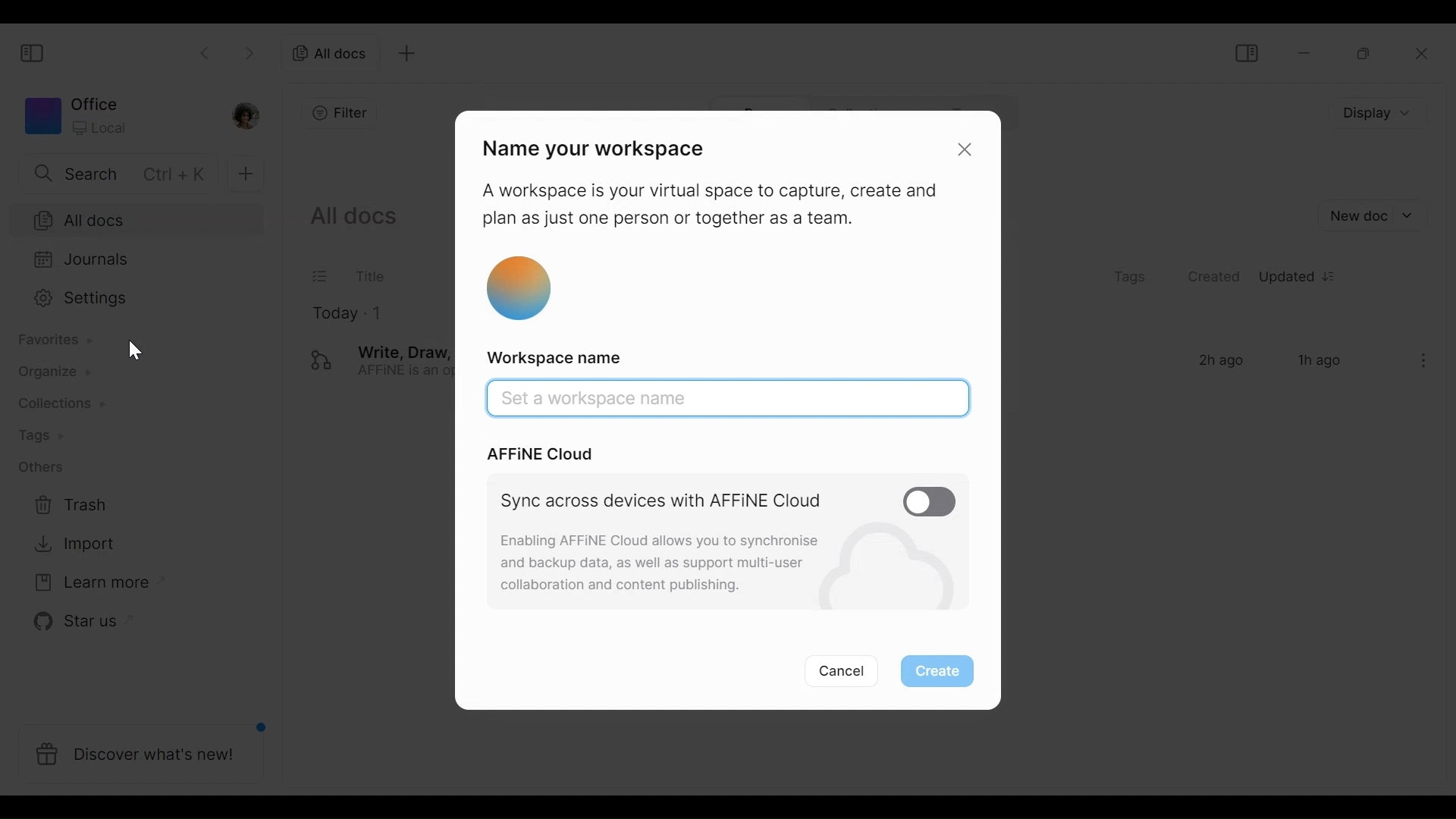 The height and width of the screenshot is (819, 1456). What do you see at coordinates (245, 175) in the screenshot?
I see `Add new` at bounding box center [245, 175].